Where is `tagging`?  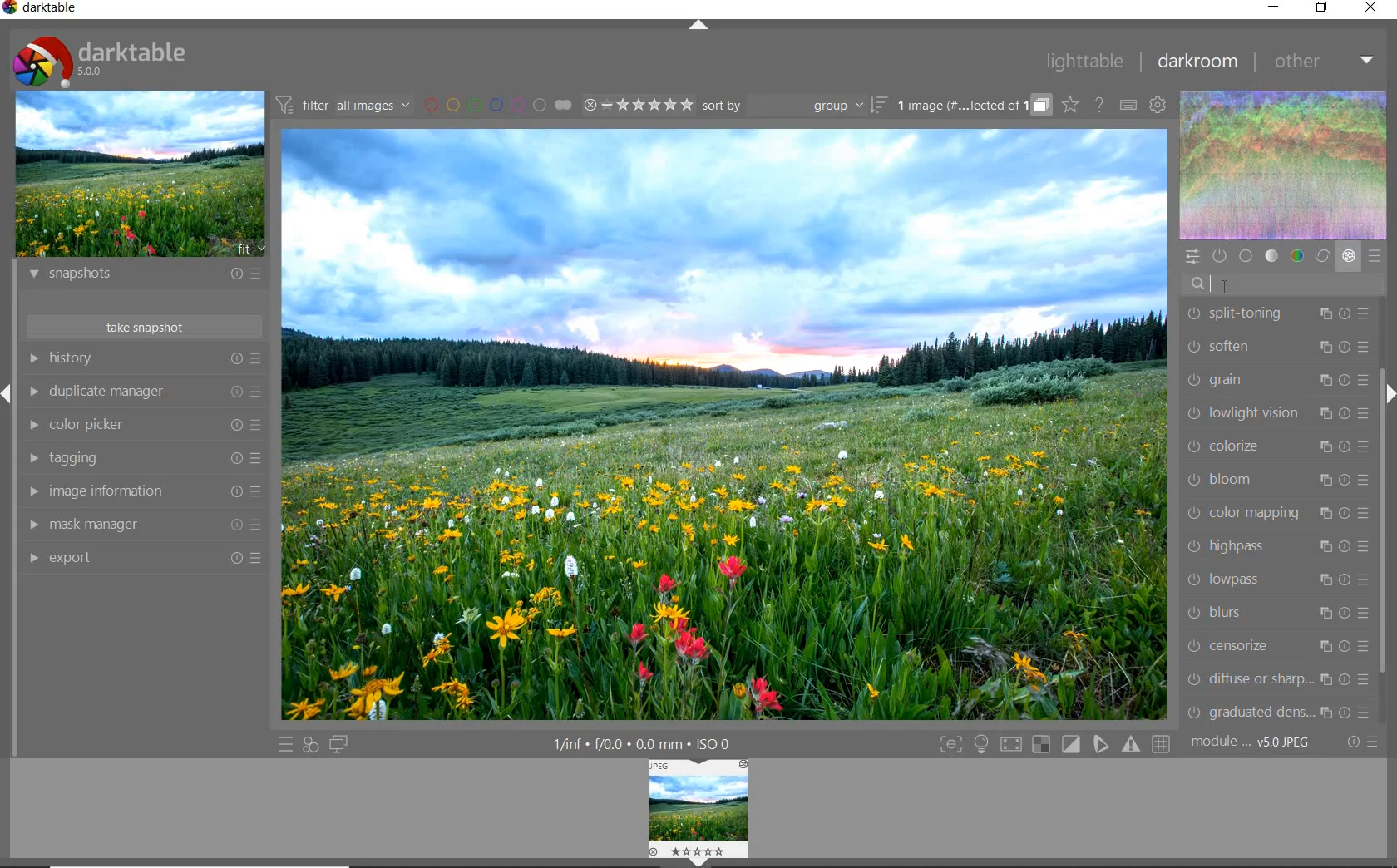
tagging is located at coordinates (142, 459).